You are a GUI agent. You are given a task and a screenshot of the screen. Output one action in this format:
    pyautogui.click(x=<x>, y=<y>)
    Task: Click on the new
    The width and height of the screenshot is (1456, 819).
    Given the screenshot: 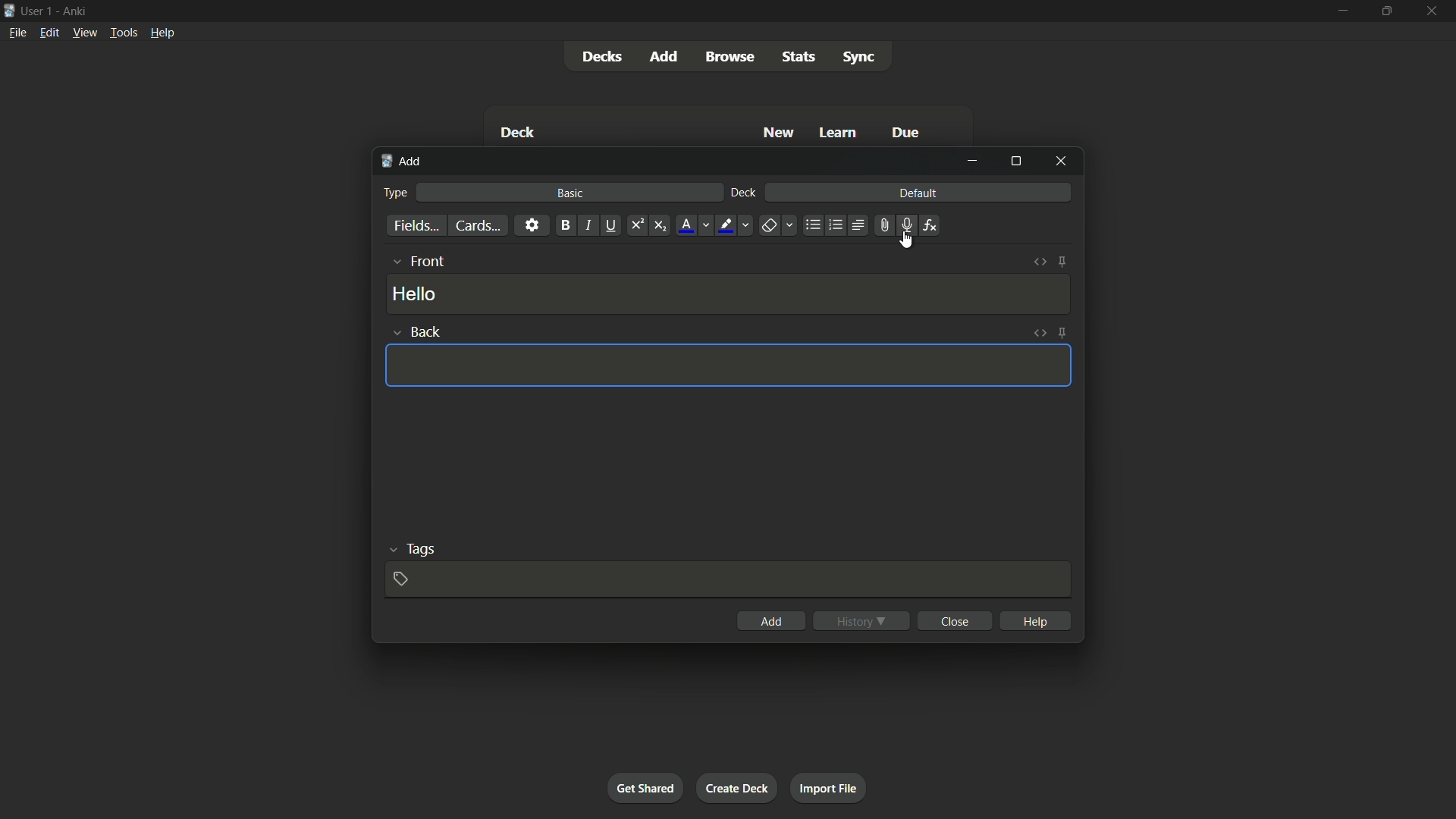 What is the action you would take?
    pyautogui.click(x=777, y=134)
    